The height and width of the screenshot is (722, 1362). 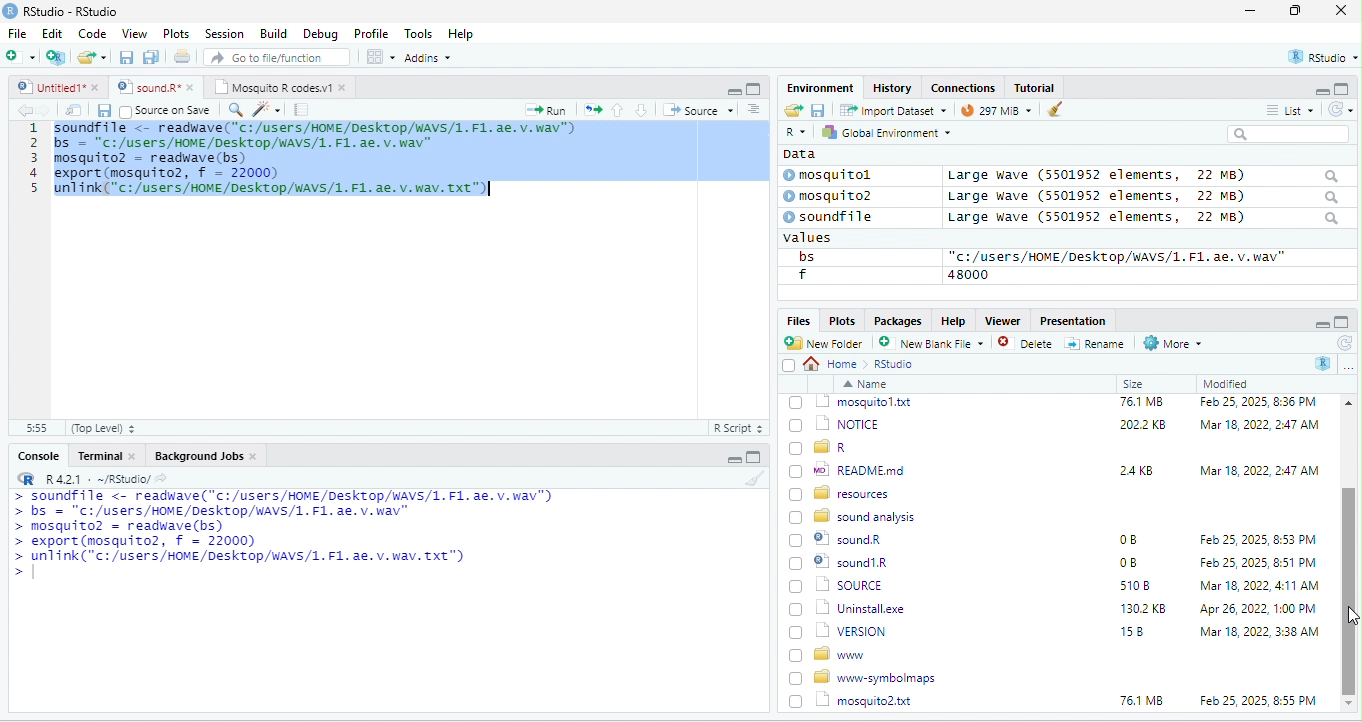 I want to click on 31:55, so click(x=34, y=428).